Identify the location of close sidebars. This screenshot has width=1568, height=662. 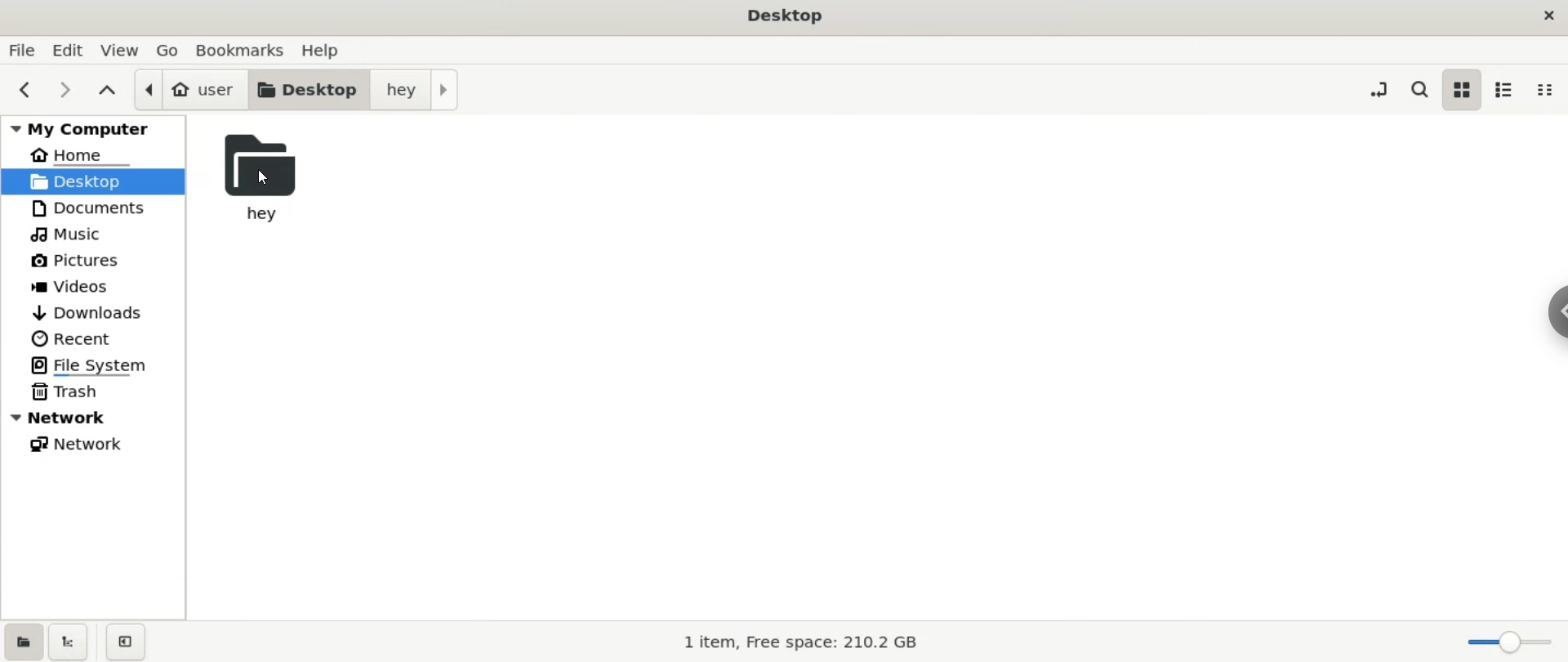
(130, 644).